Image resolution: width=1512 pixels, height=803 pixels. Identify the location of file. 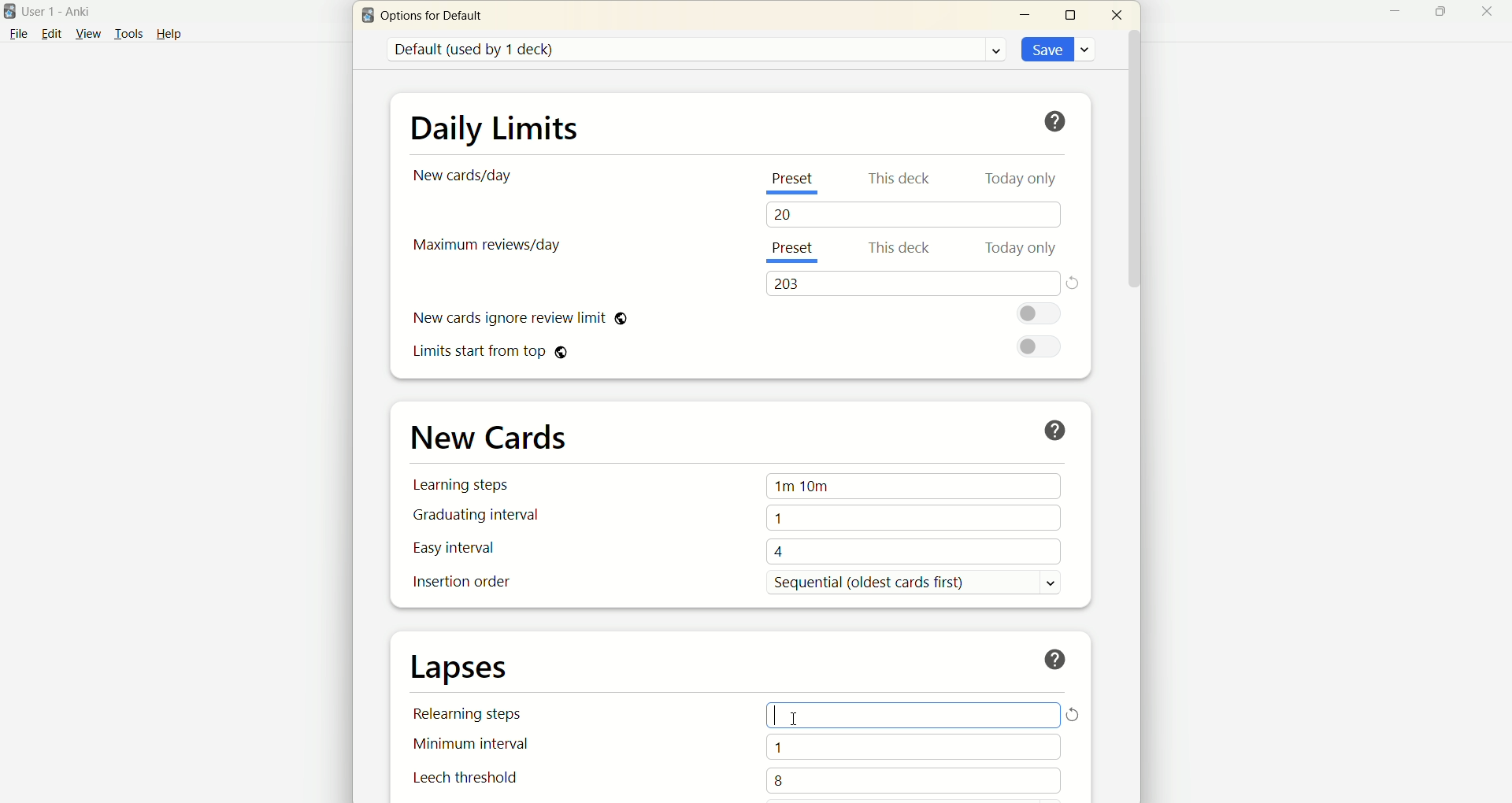
(17, 35).